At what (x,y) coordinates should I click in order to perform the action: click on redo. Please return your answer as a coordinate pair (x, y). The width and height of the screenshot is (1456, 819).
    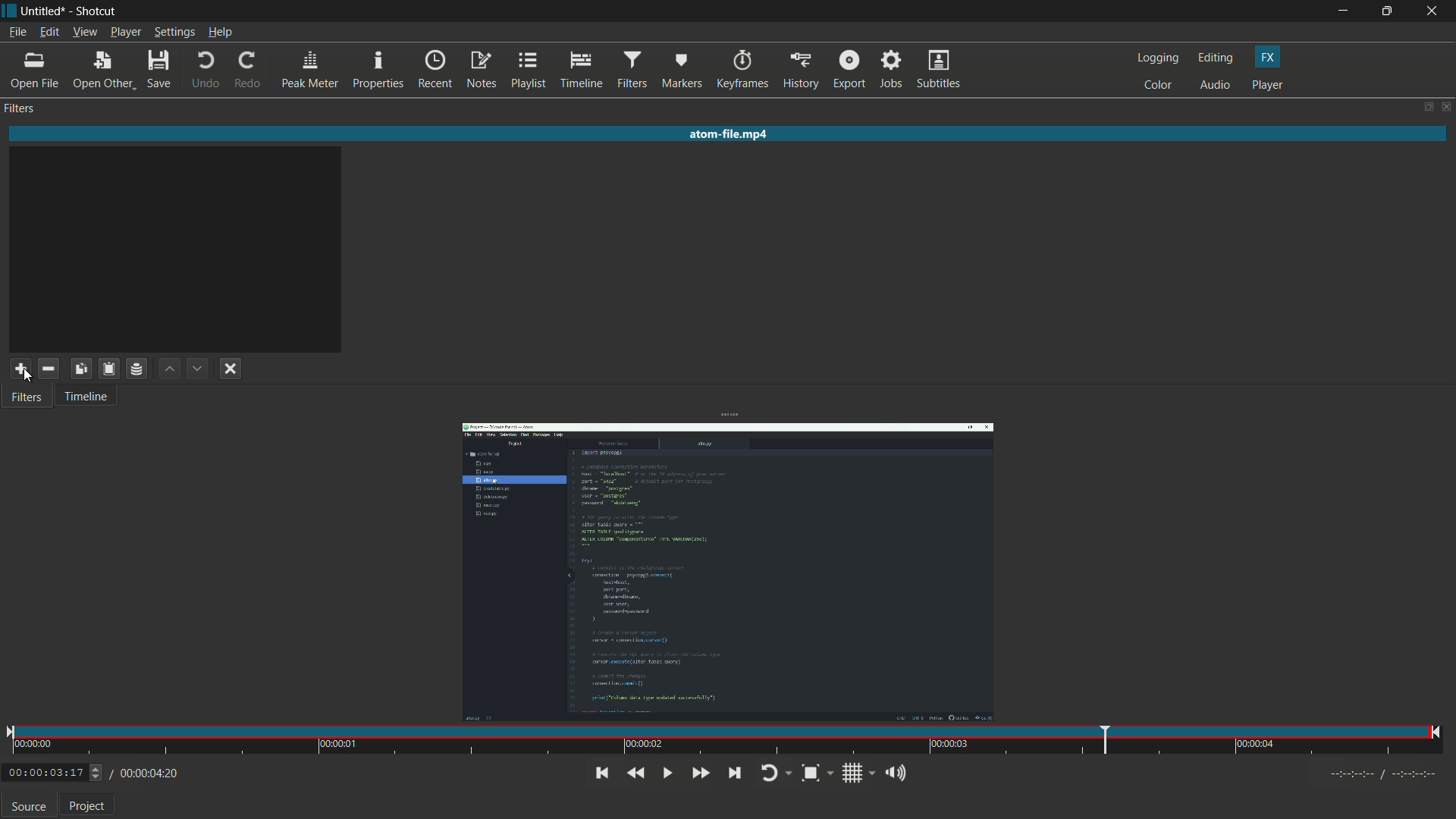
    Looking at the image, I should click on (249, 71).